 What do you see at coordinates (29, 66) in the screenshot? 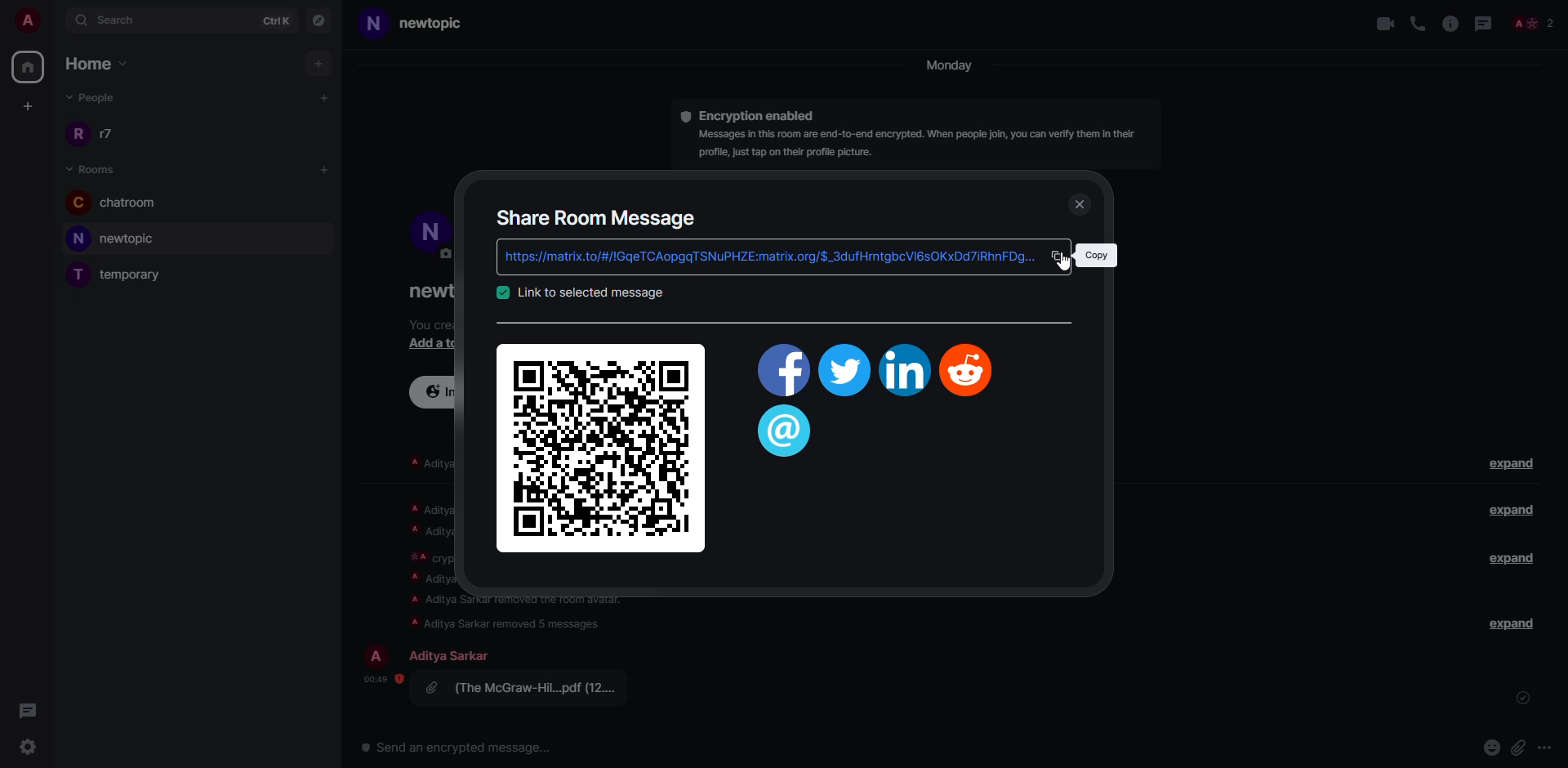
I see `home` at bounding box center [29, 66].